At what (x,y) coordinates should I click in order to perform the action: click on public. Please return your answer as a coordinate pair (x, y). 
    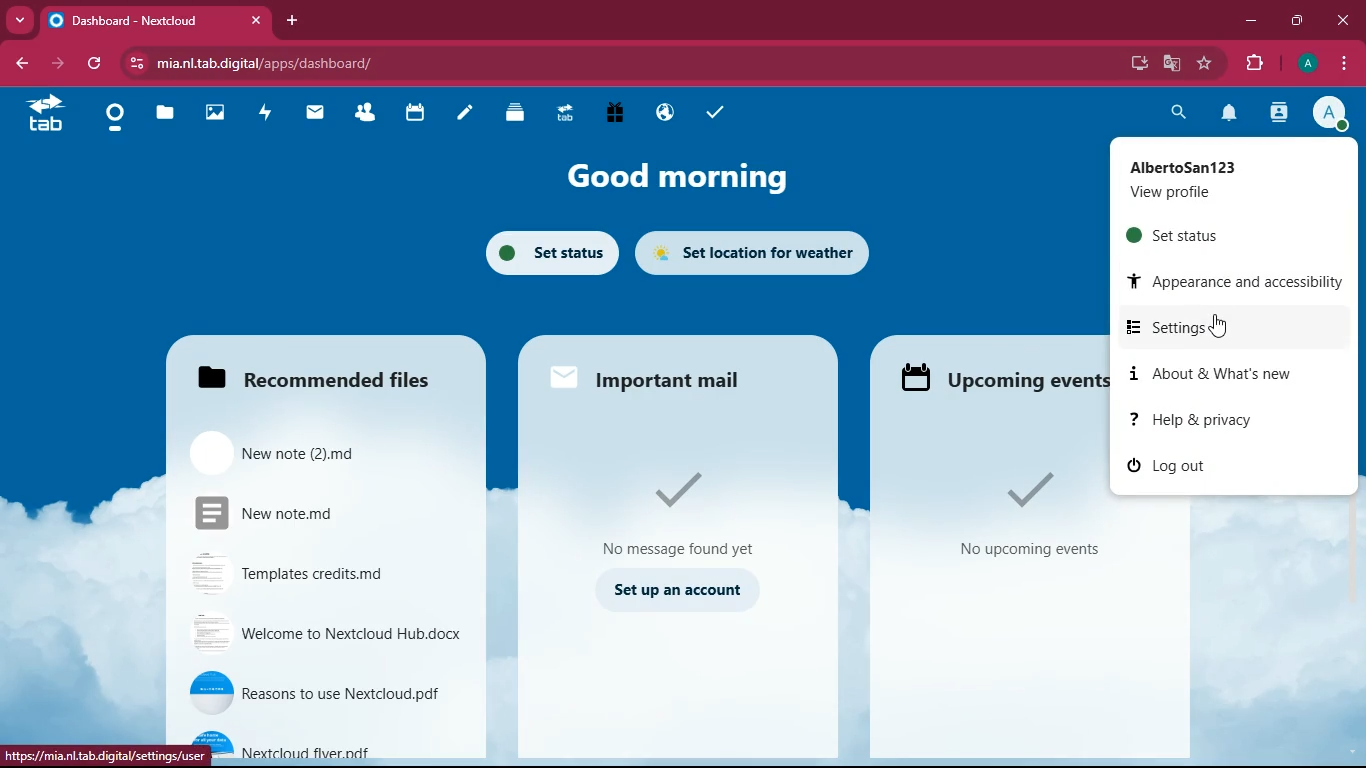
    Looking at the image, I should click on (663, 114).